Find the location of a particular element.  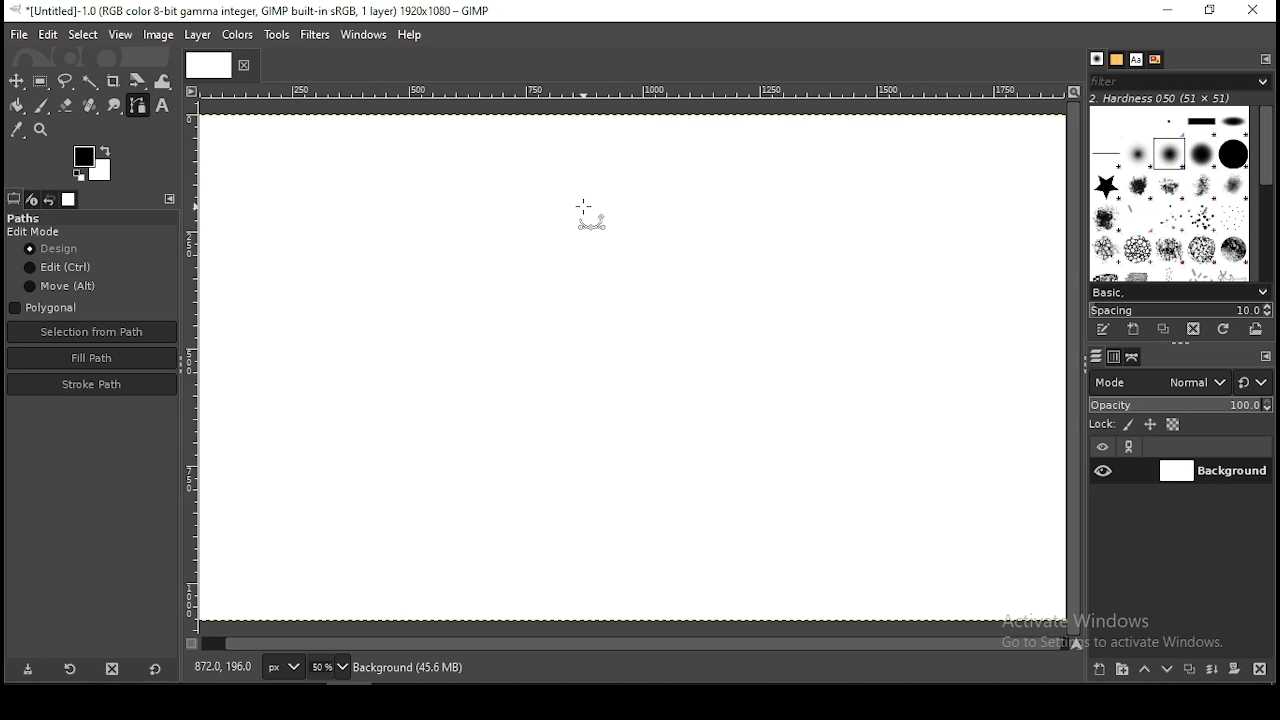

layer 1 is located at coordinates (1213, 471).